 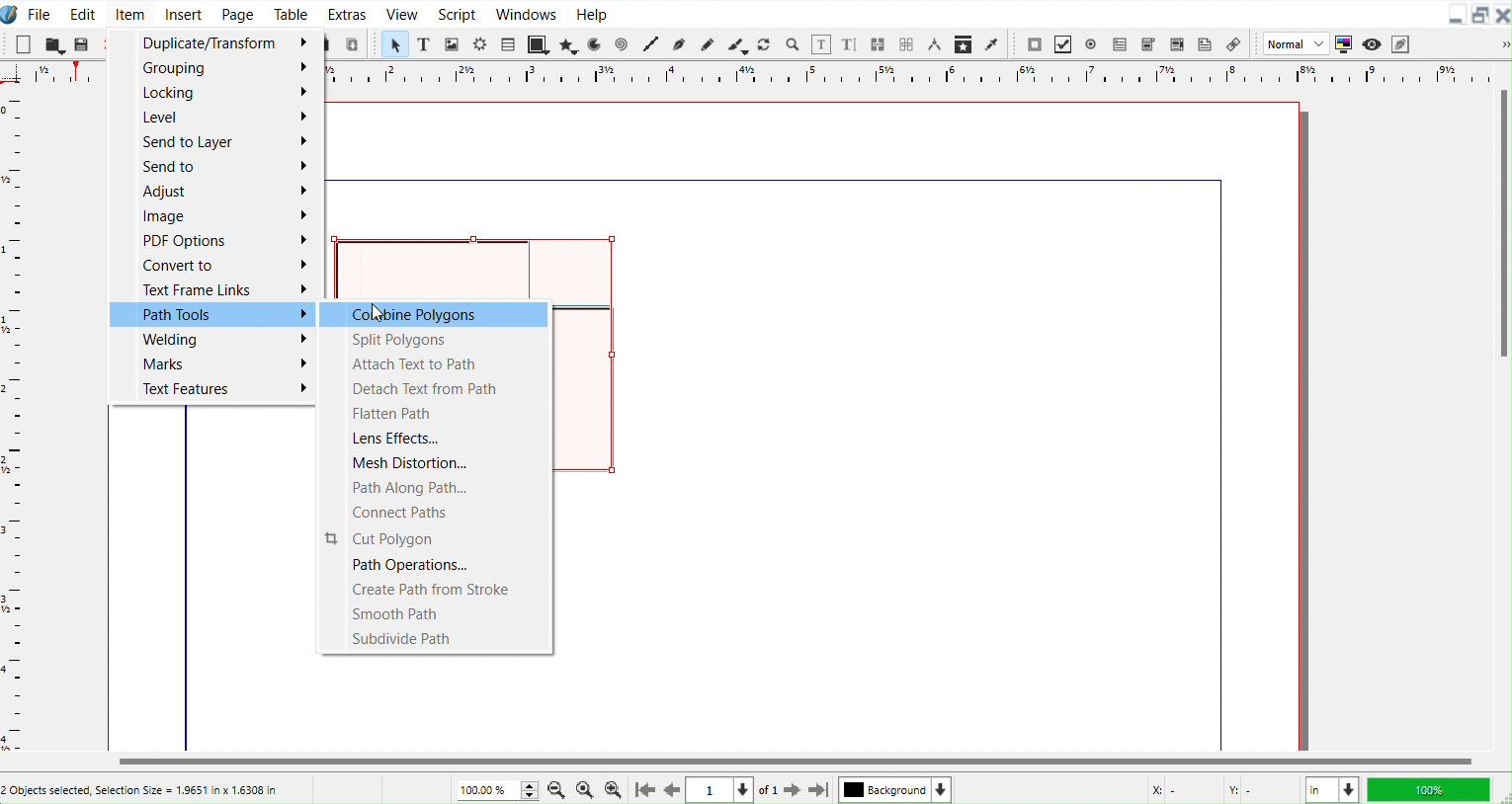 I want to click on Zoom in or Out, so click(x=792, y=44).